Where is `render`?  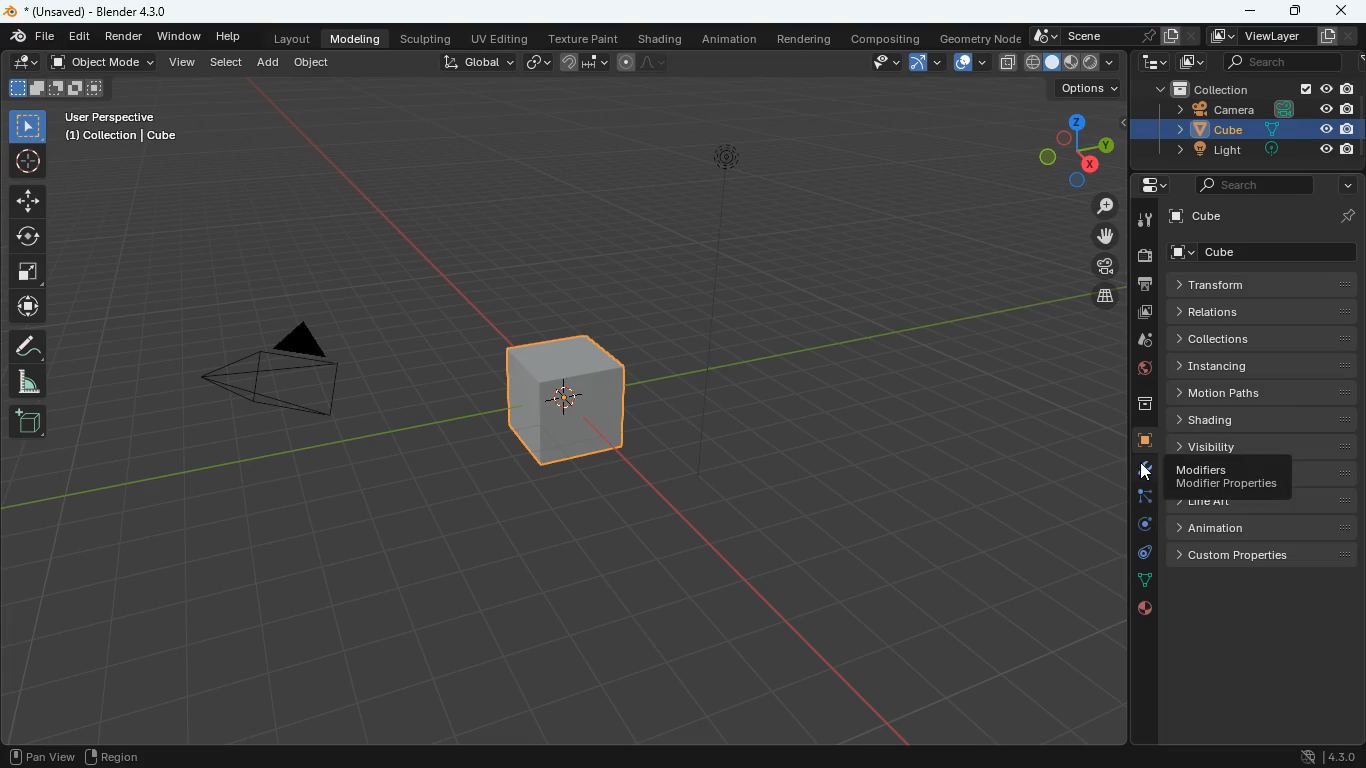 render is located at coordinates (126, 37).